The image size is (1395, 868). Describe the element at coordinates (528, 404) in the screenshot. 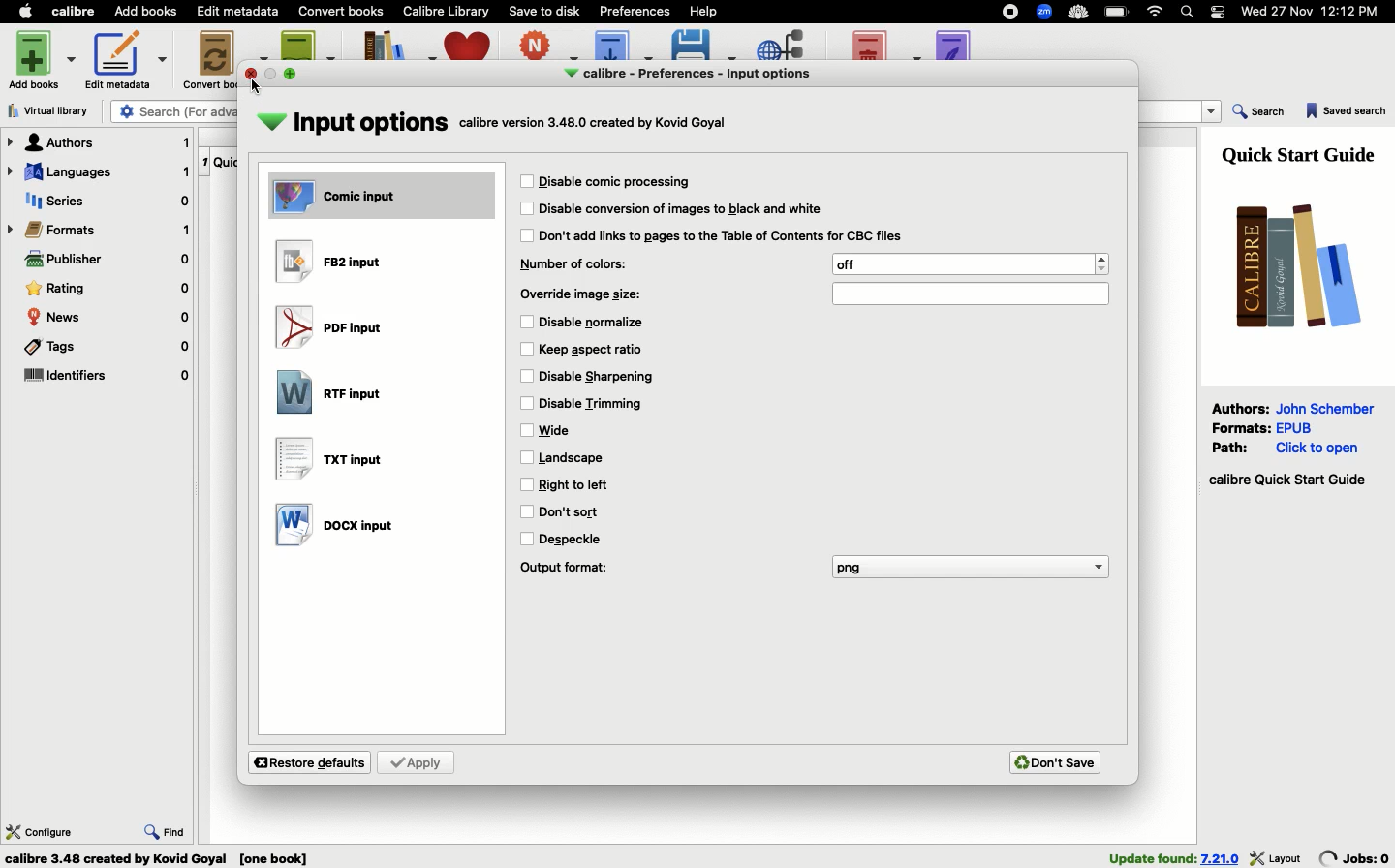

I see `Checkbox` at that location.